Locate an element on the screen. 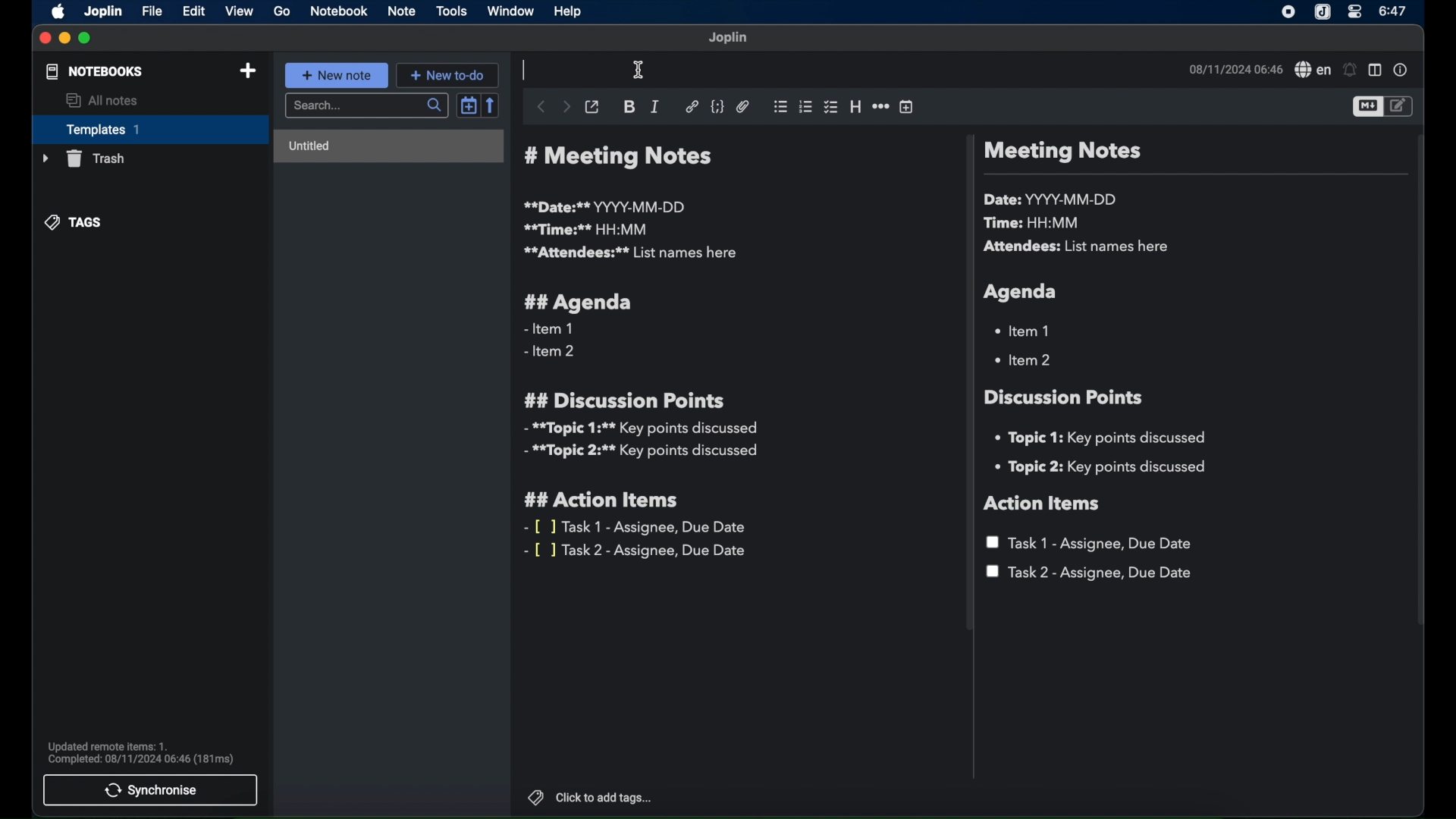 The image size is (1456, 819). note properties is located at coordinates (1402, 71).